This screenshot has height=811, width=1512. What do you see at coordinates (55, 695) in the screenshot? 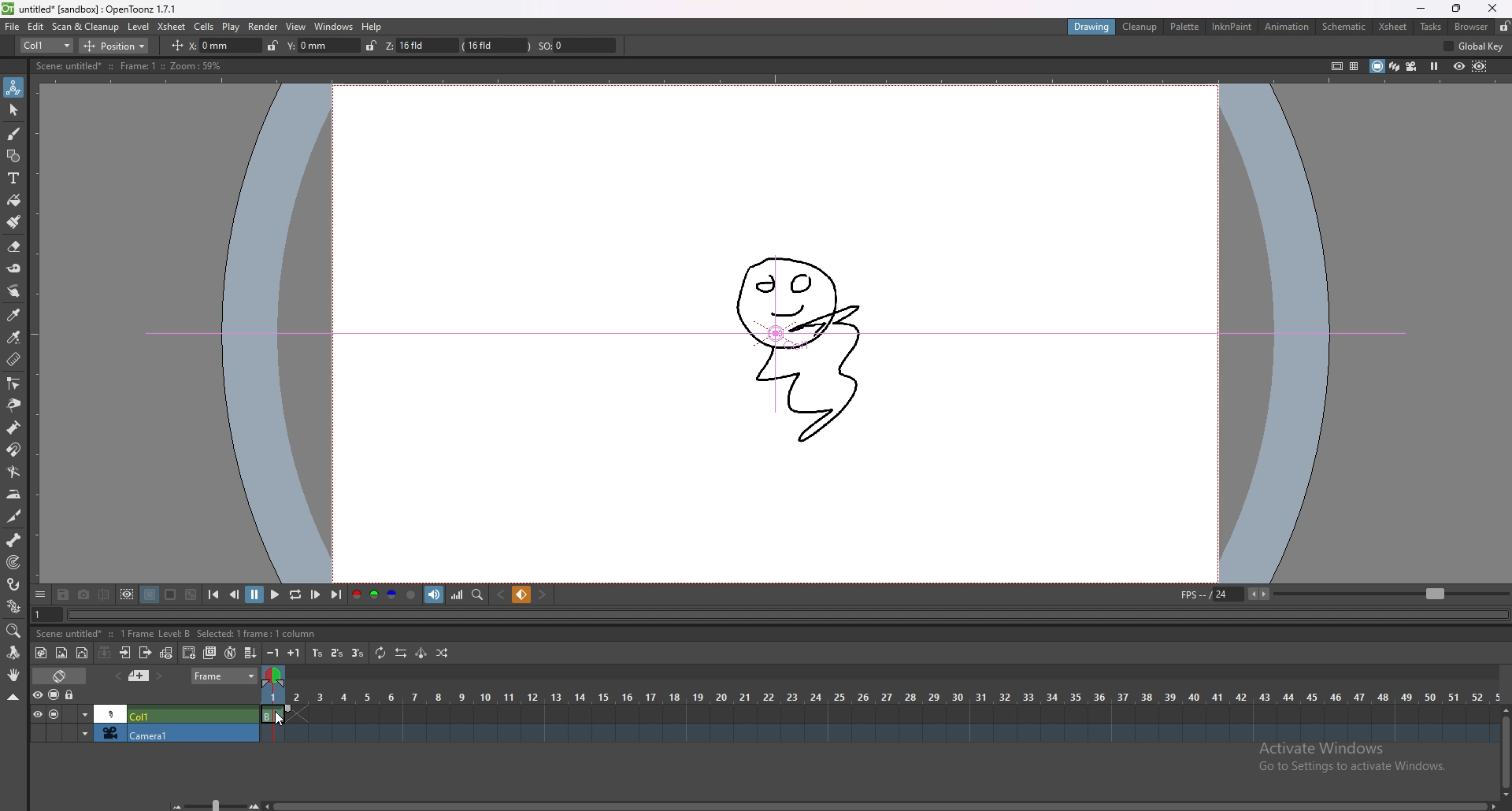
I see `camera stand visibility` at bounding box center [55, 695].